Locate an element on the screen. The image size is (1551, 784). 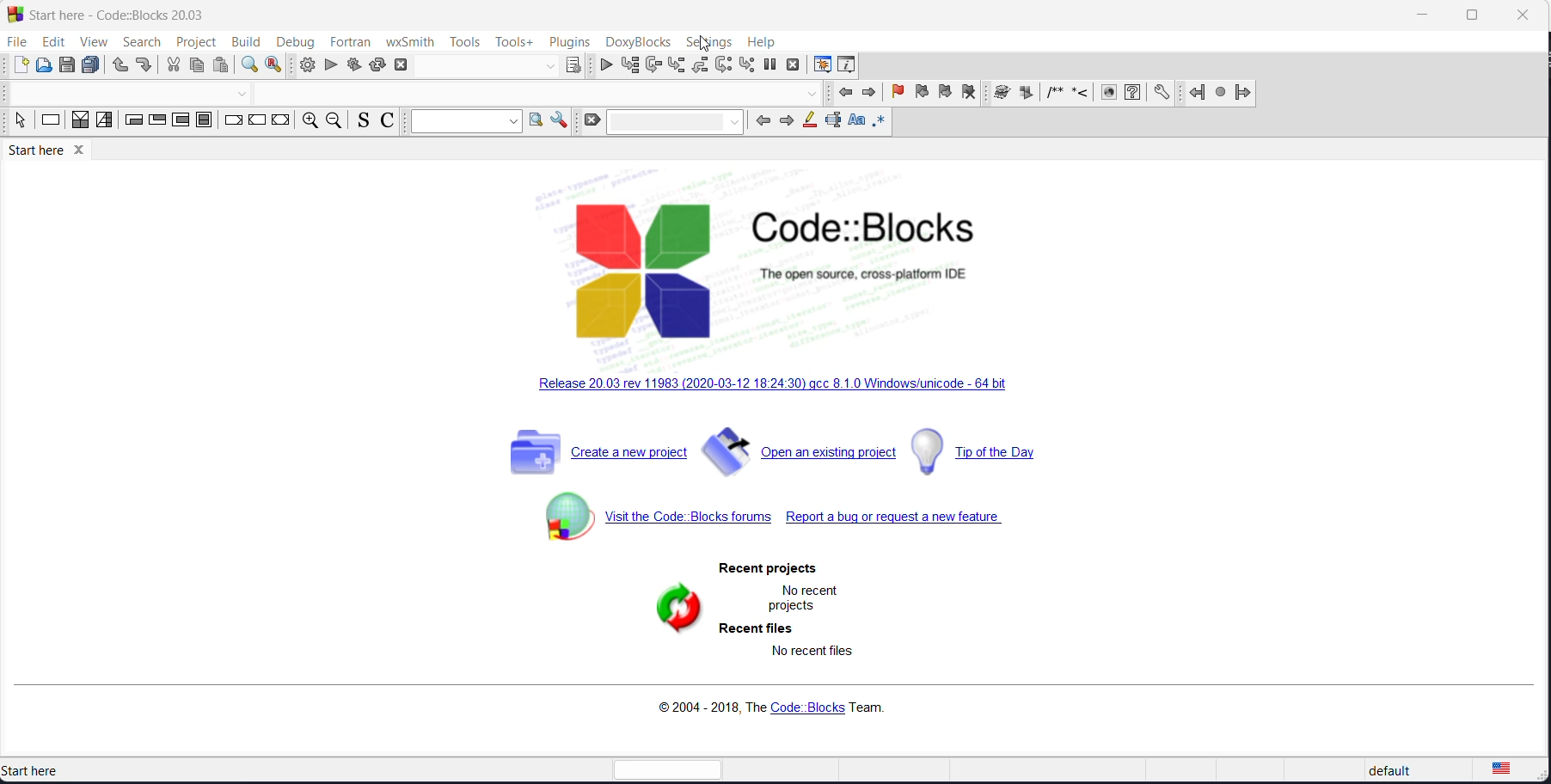
settings is located at coordinates (706, 43).